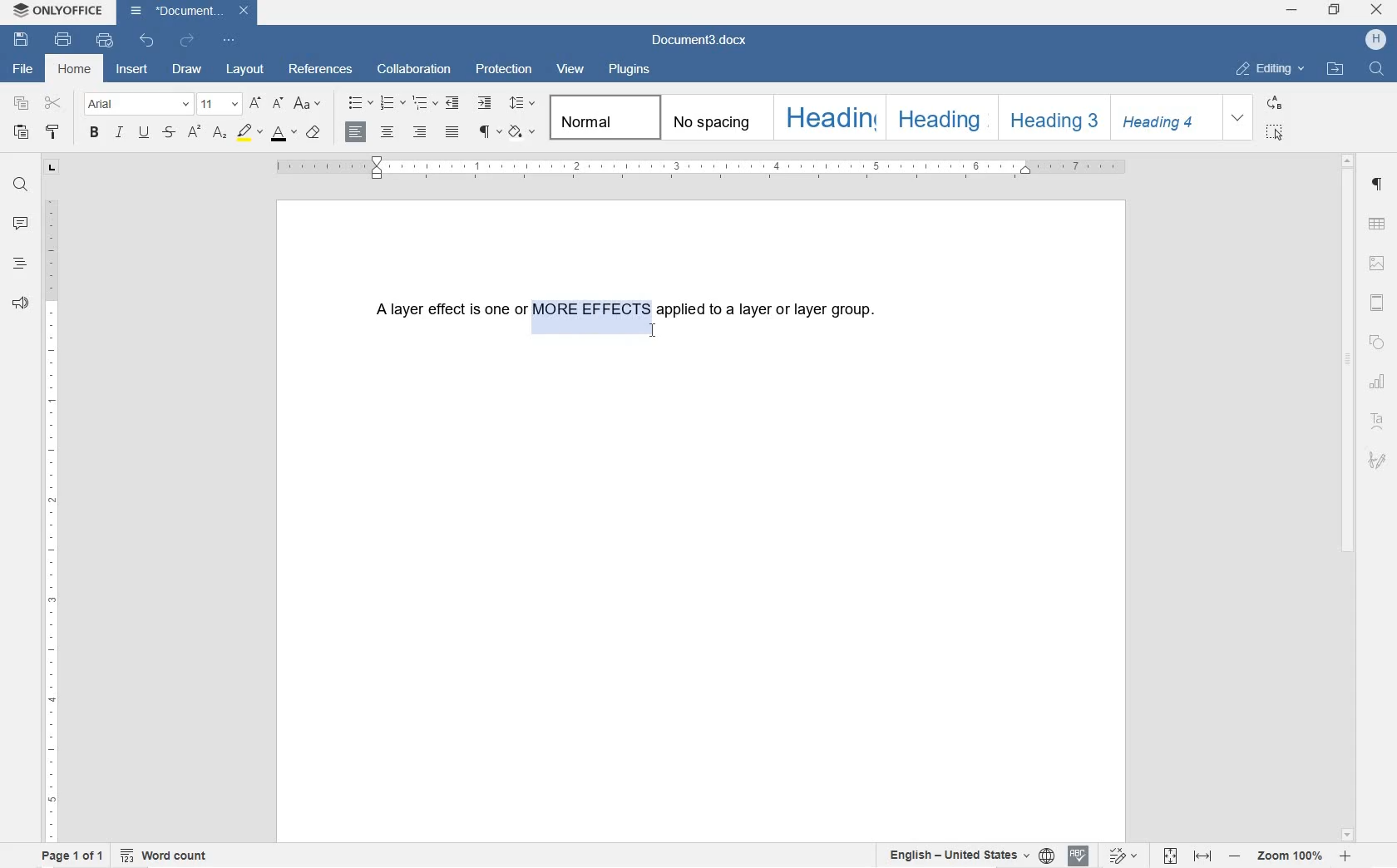  I want to click on HEADING 3, so click(1052, 118).